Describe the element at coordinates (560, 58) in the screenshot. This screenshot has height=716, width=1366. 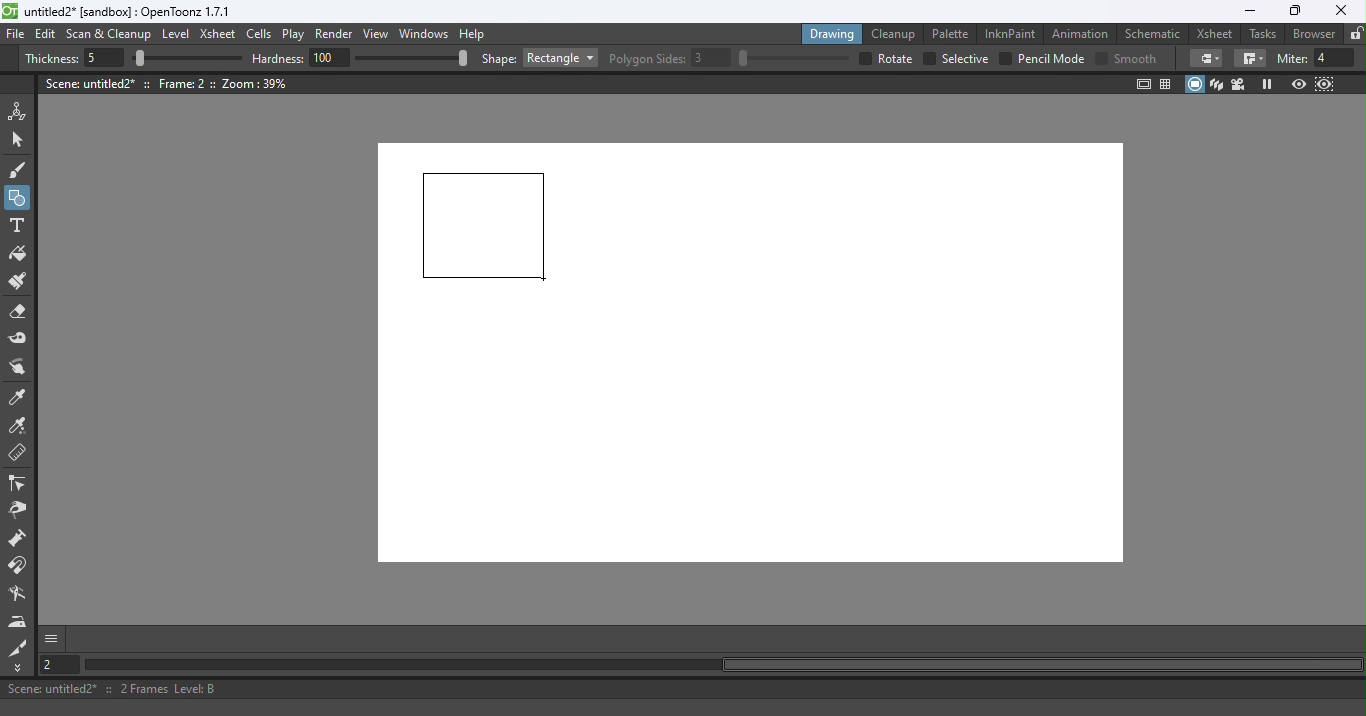
I see `Rectangle ` at that location.